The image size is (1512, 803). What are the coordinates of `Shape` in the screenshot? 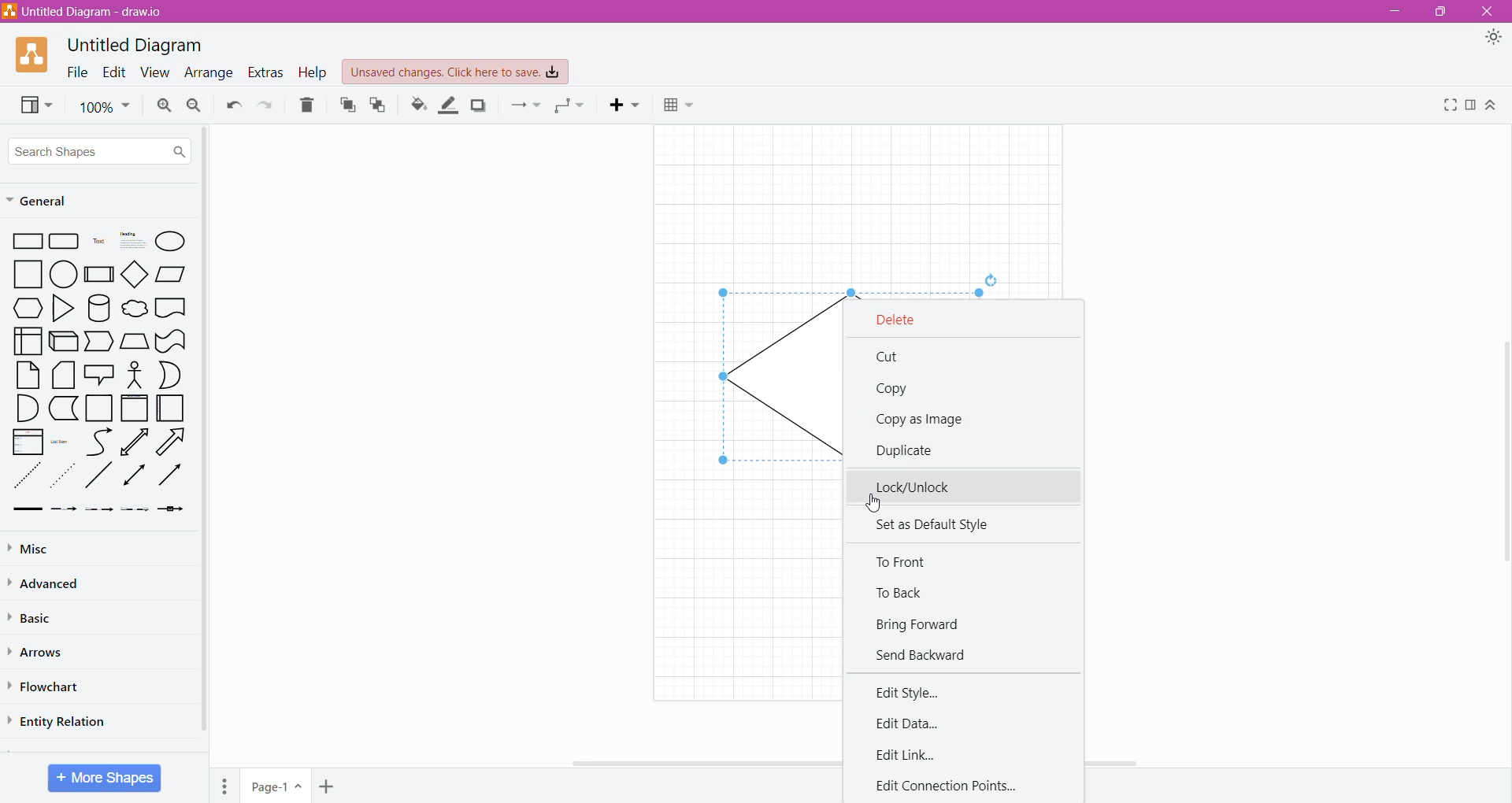 It's located at (755, 378).